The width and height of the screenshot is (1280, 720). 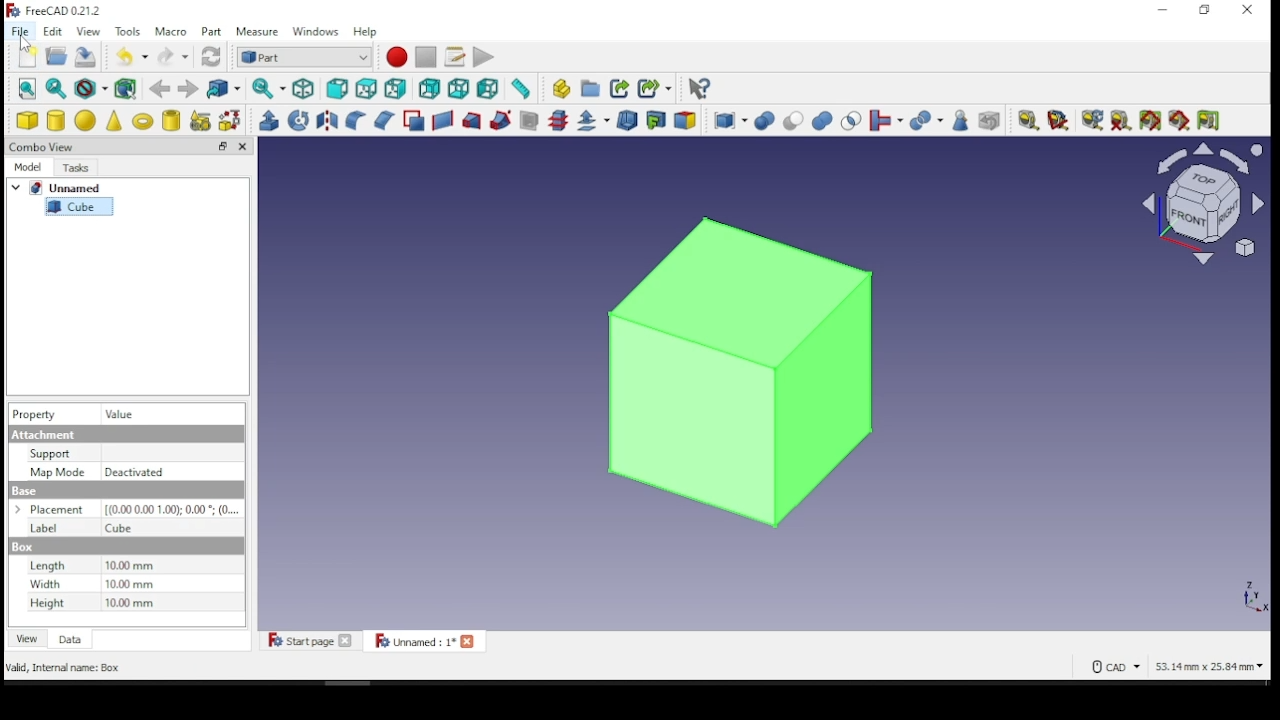 What do you see at coordinates (655, 89) in the screenshot?
I see `make sub link` at bounding box center [655, 89].